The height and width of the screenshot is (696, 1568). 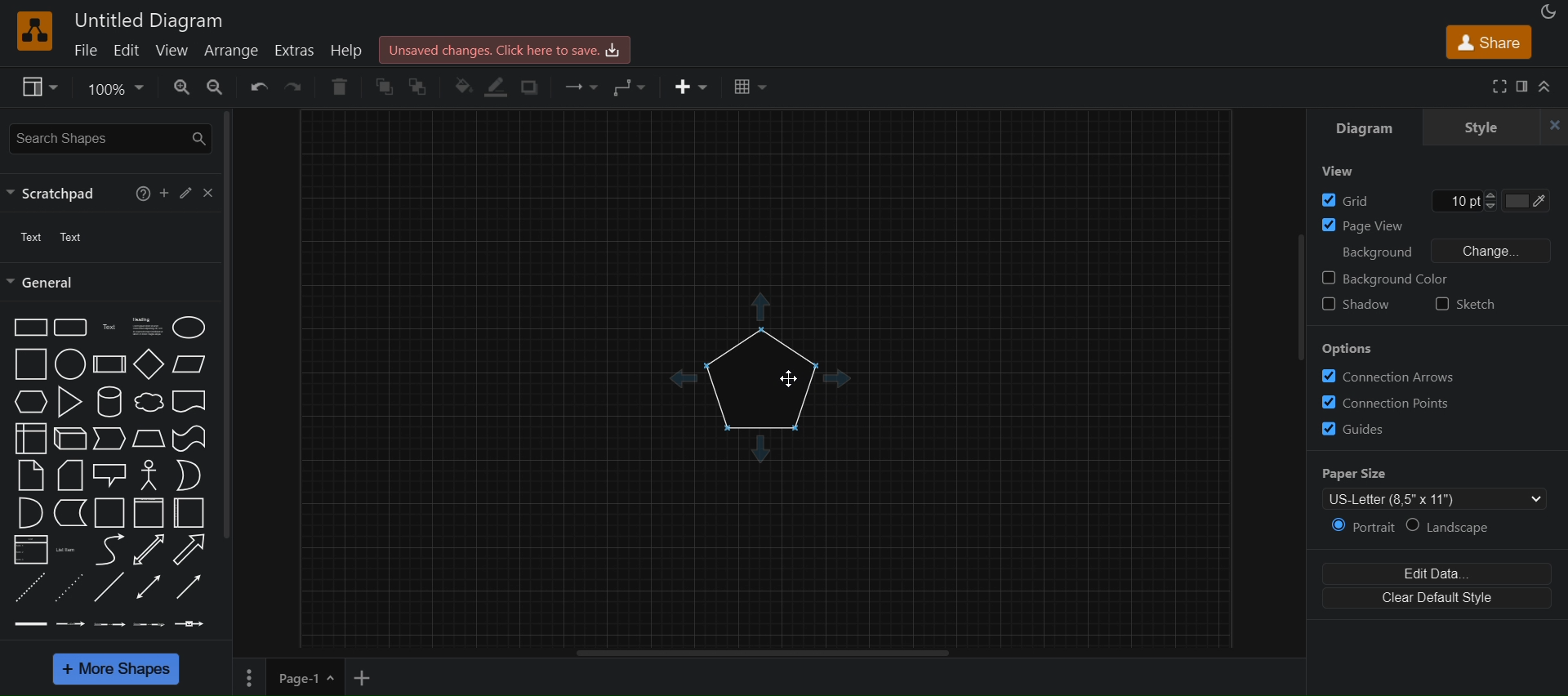 I want to click on connection, so click(x=577, y=87).